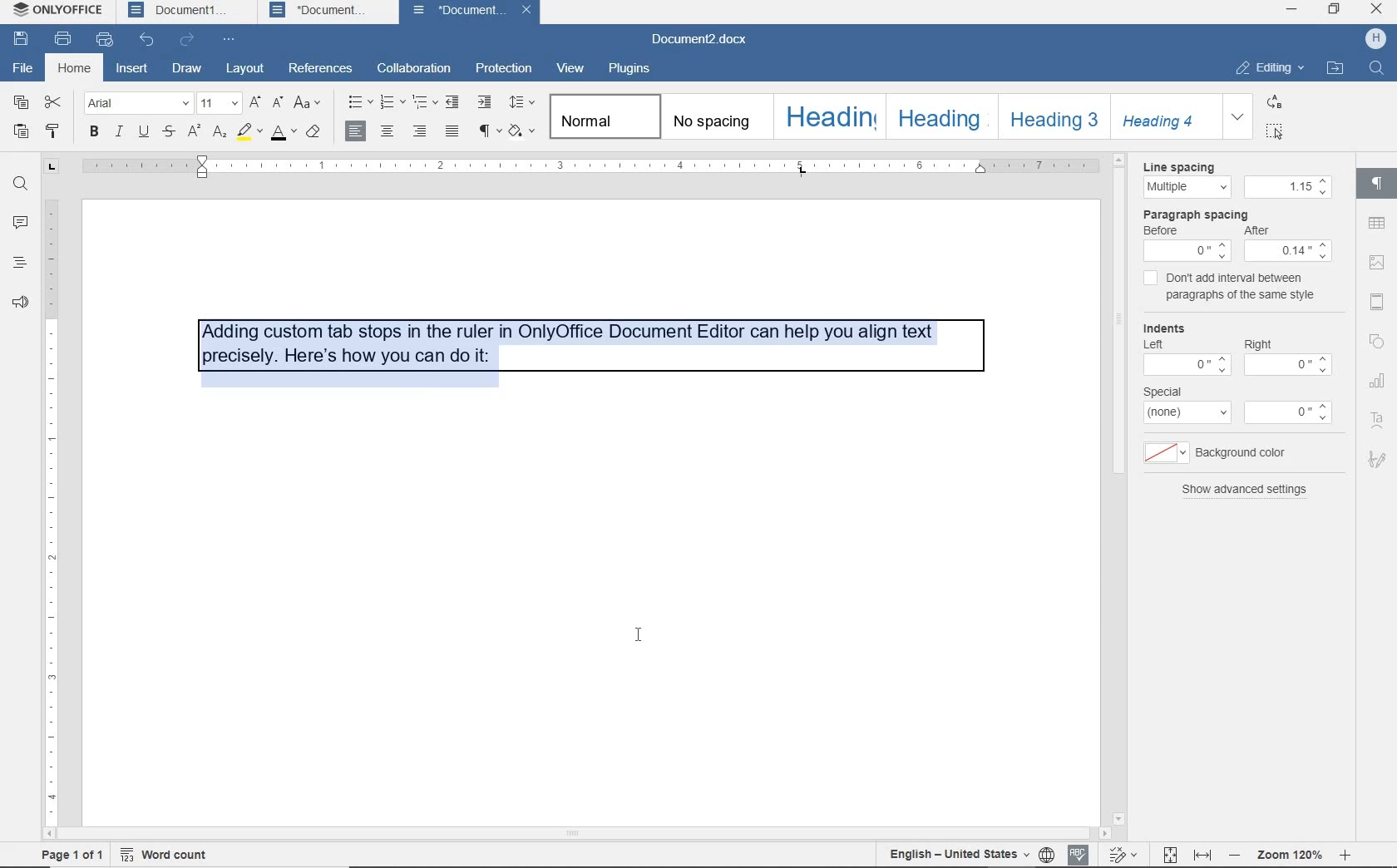 This screenshot has height=868, width=1397. I want to click on subscript, so click(220, 133).